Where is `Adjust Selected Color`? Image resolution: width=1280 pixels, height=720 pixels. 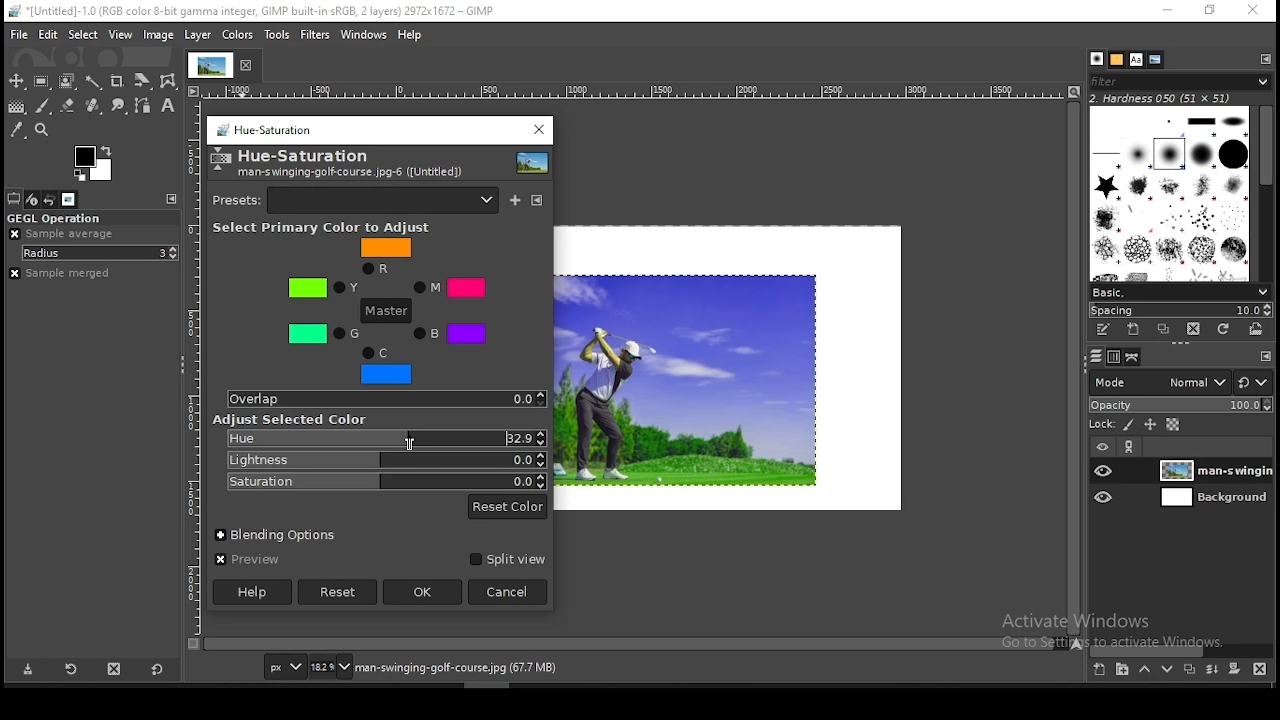
Adjust Selected Color is located at coordinates (291, 420).